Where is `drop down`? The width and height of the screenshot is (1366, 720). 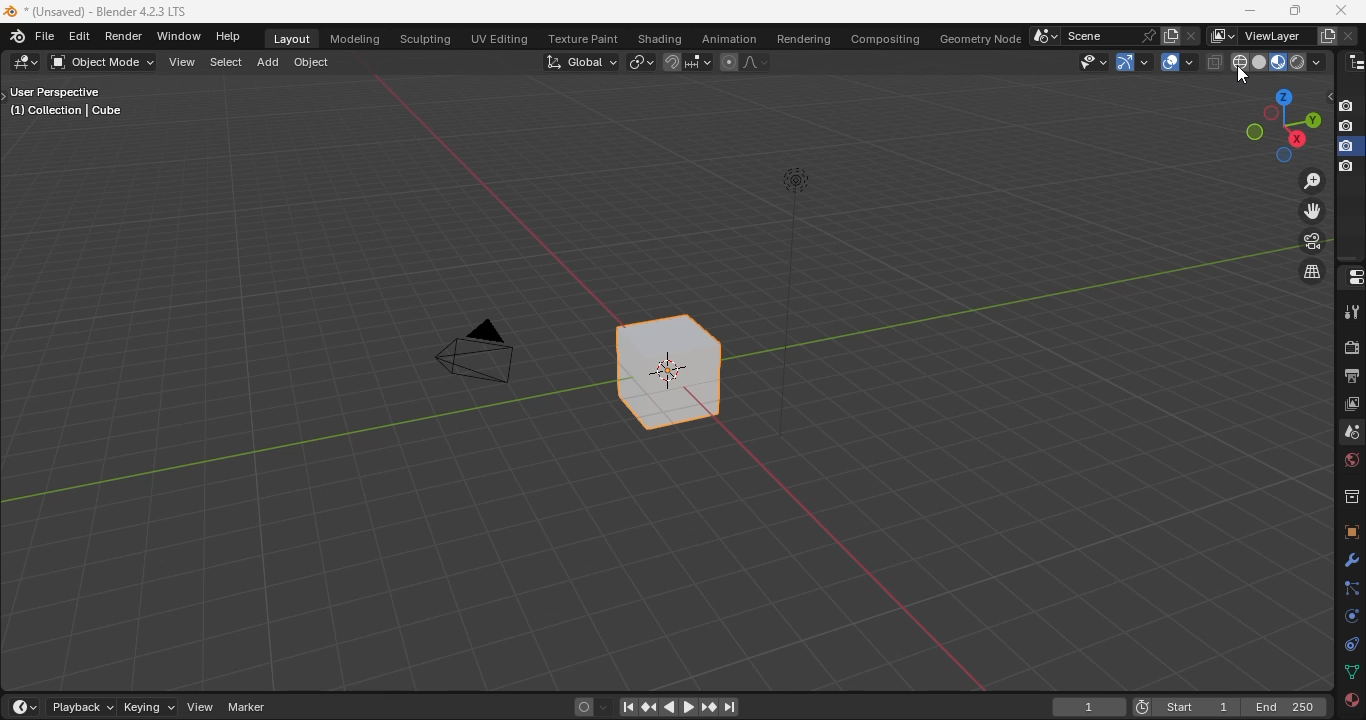
drop down is located at coordinates (1046, 37).